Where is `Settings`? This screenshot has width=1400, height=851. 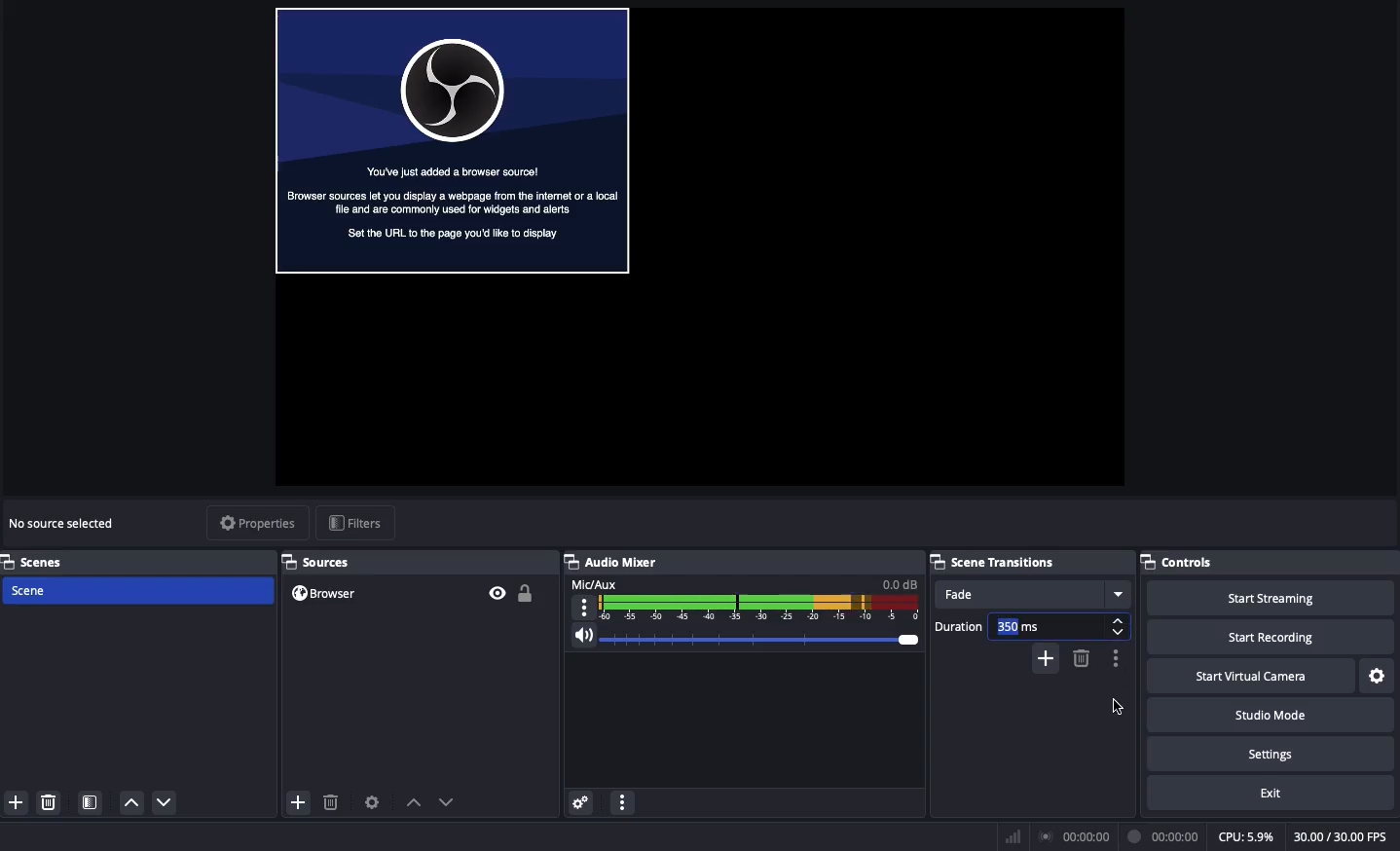
Settings is located at coordinates (1378, 676).